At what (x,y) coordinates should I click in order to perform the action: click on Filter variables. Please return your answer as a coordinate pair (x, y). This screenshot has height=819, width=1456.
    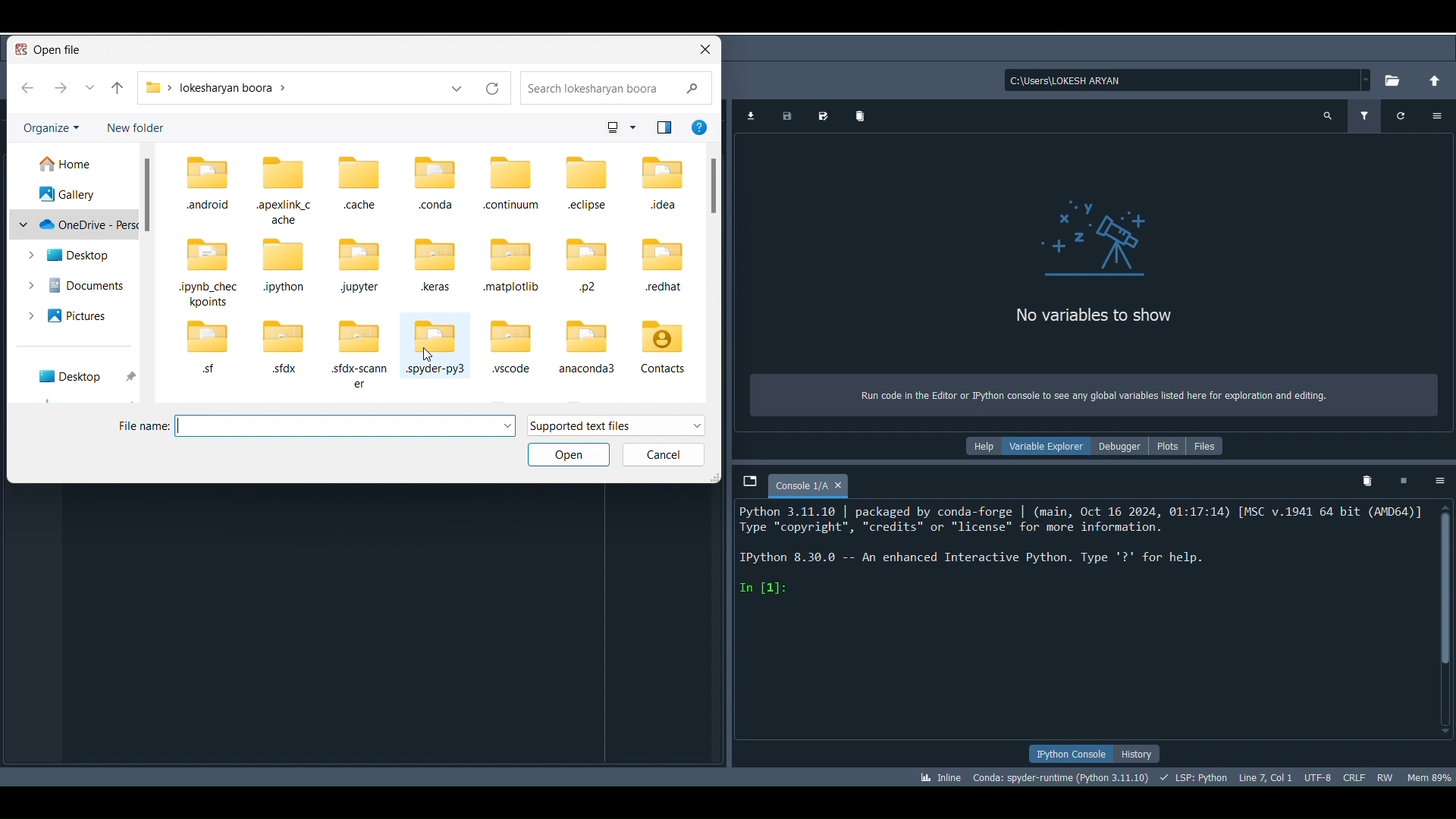
    Looking at the image, I should click on (1366, 116).